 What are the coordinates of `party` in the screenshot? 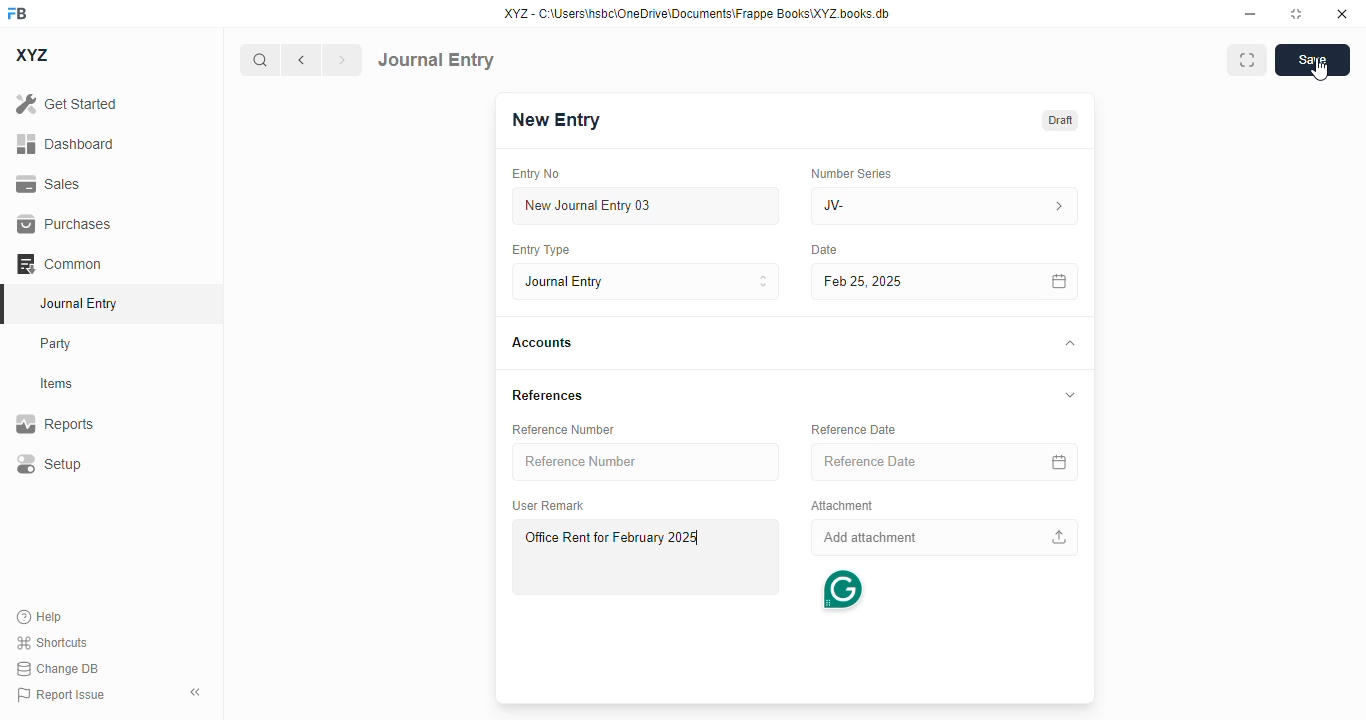 It's located at (56, 344).